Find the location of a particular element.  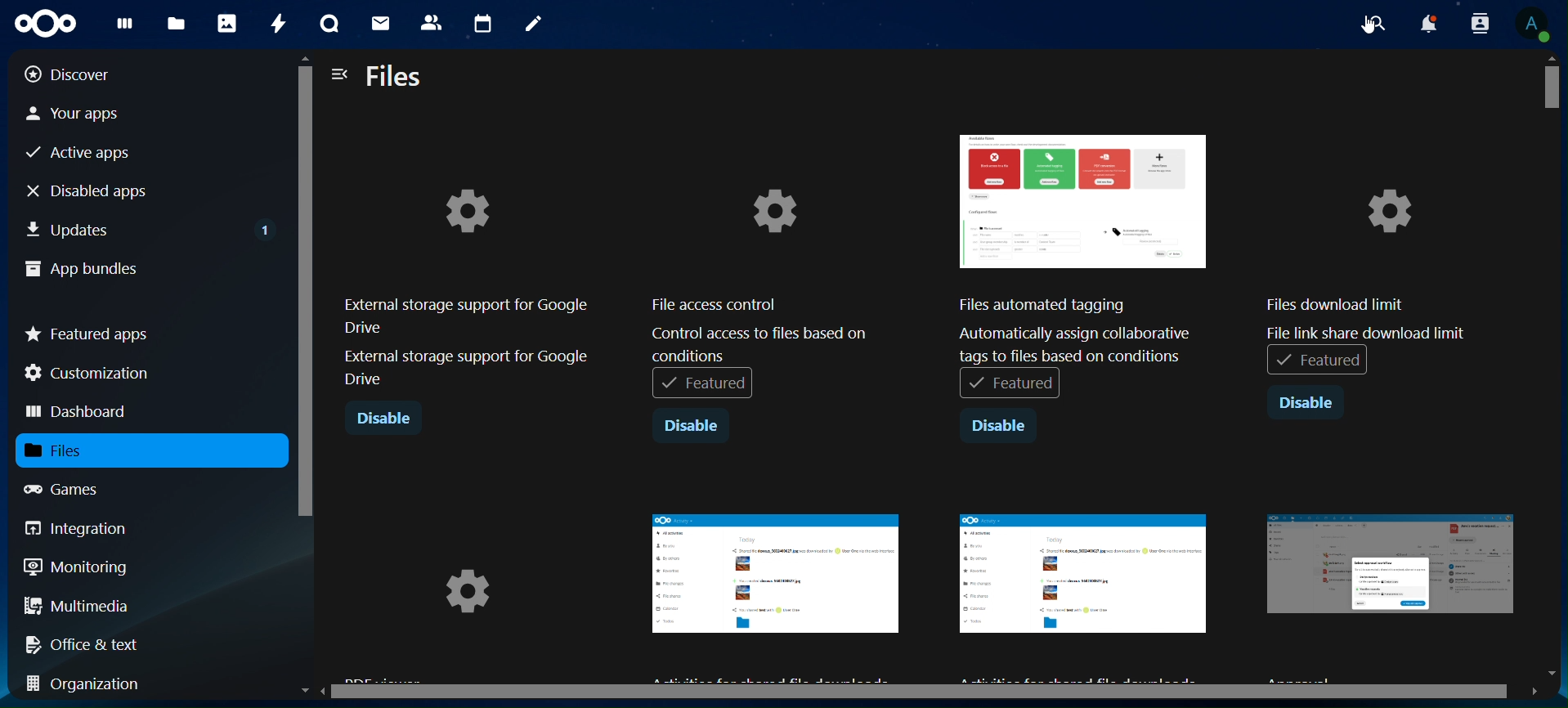

games is located at coordinates (77, 489).